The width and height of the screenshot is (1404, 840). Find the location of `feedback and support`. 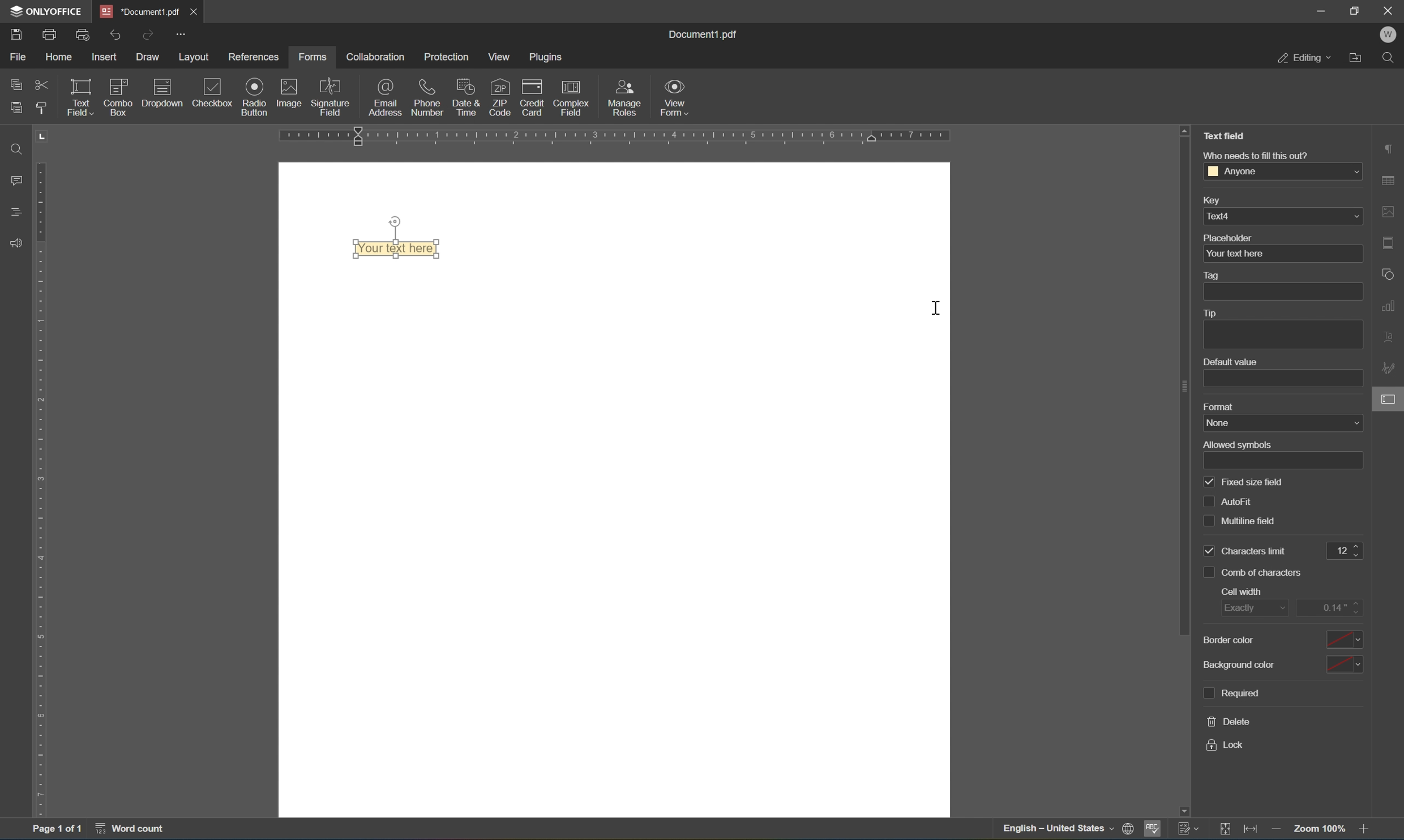

feedback and support is located at coordinates (17, 245).